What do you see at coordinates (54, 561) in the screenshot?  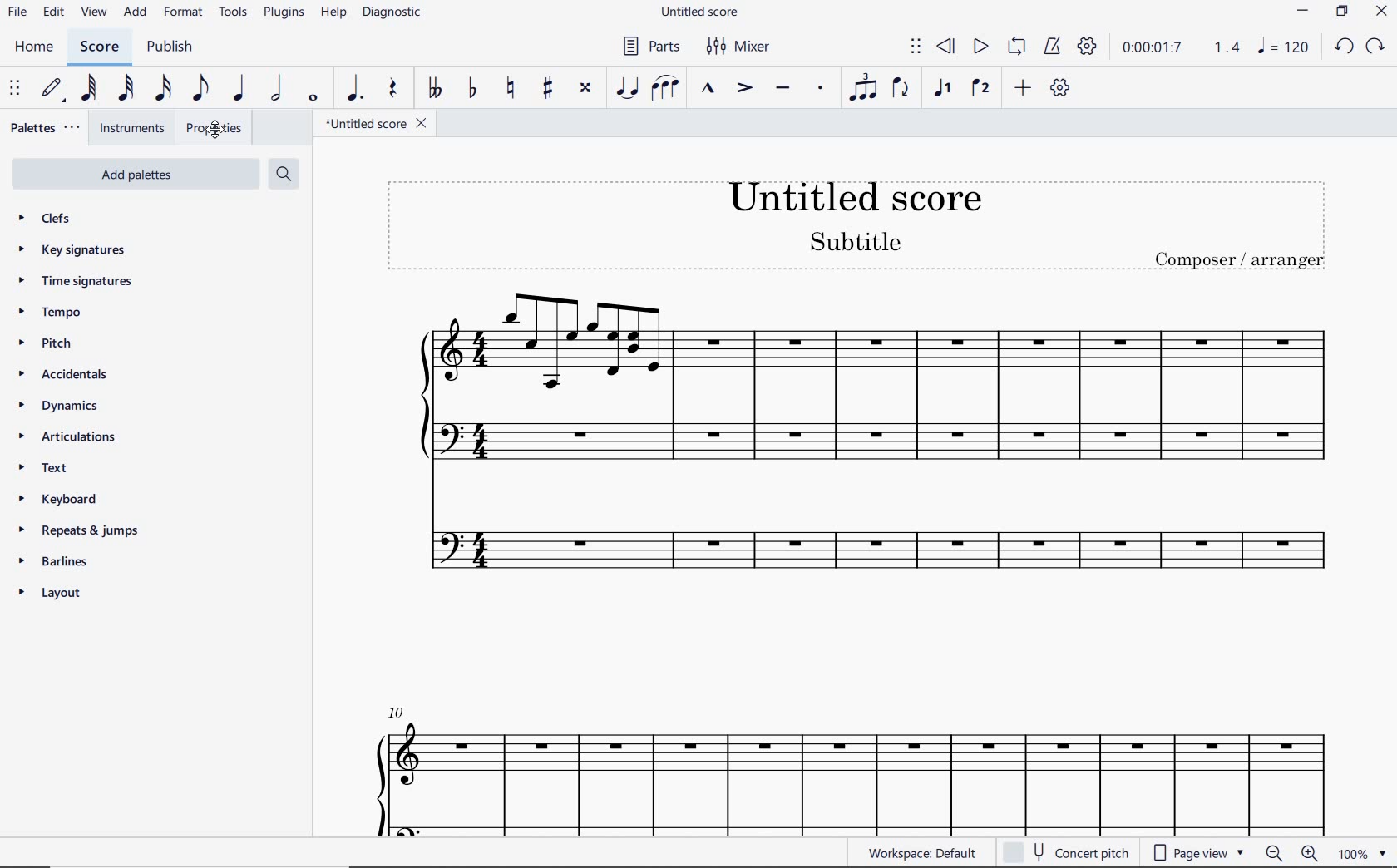 I see `barlines` at bounding box center [54, 561].